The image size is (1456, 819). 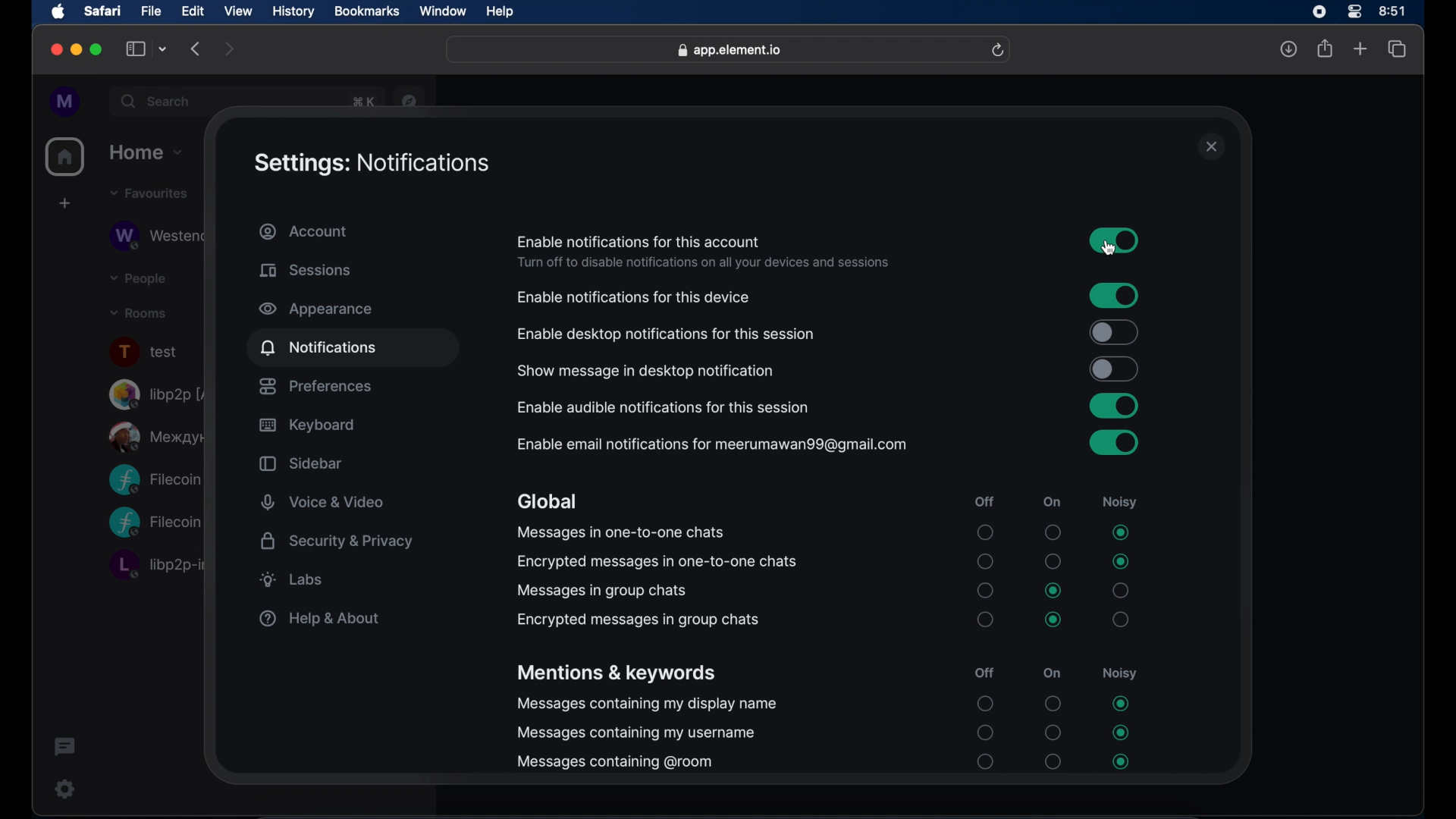 What do you see at coordinates (985, 732) in the screenshot?
I see `radio button` at bounding box center [985, 732].